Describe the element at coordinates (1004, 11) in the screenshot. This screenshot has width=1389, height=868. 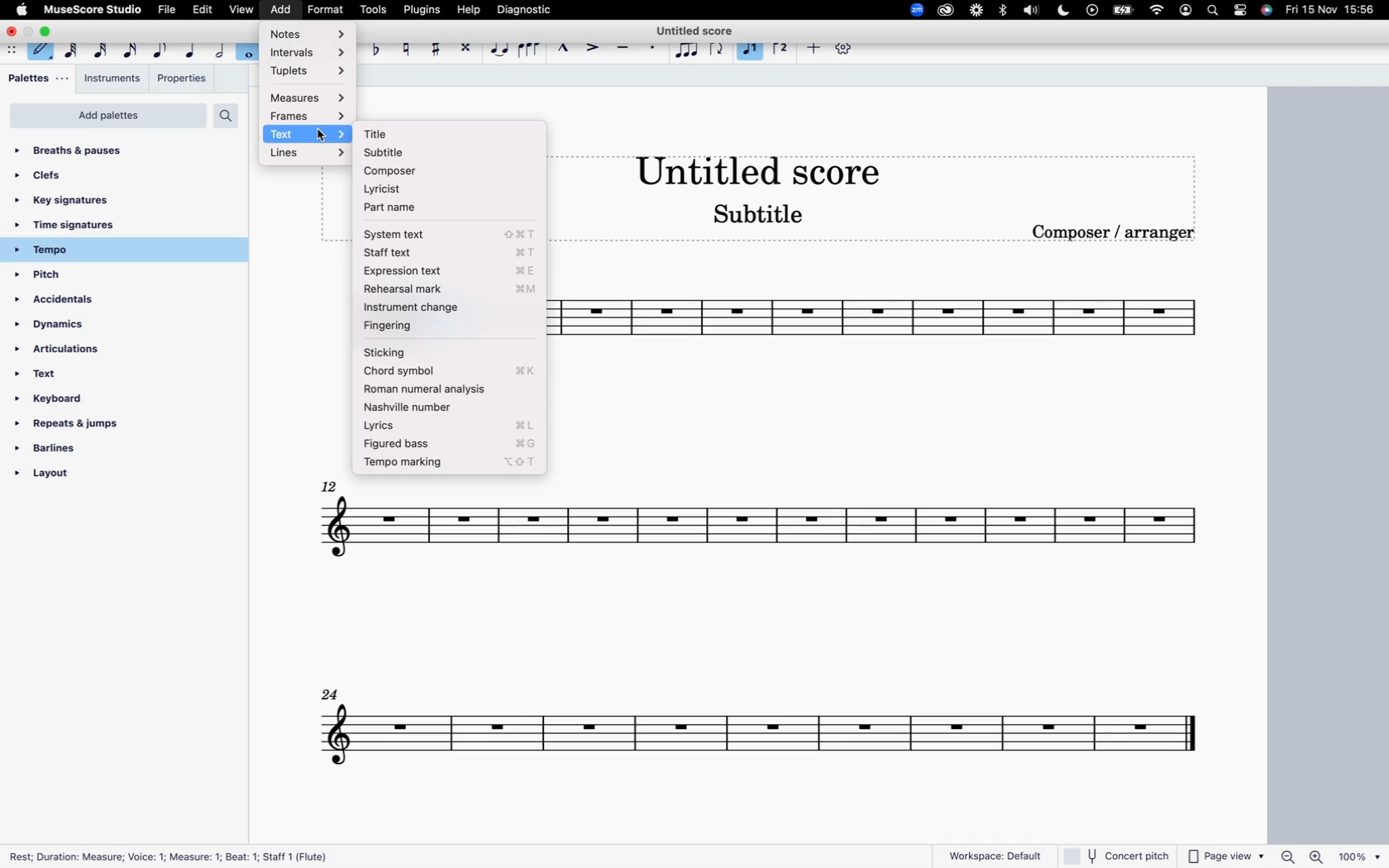
I see `bluetooth` at that location.